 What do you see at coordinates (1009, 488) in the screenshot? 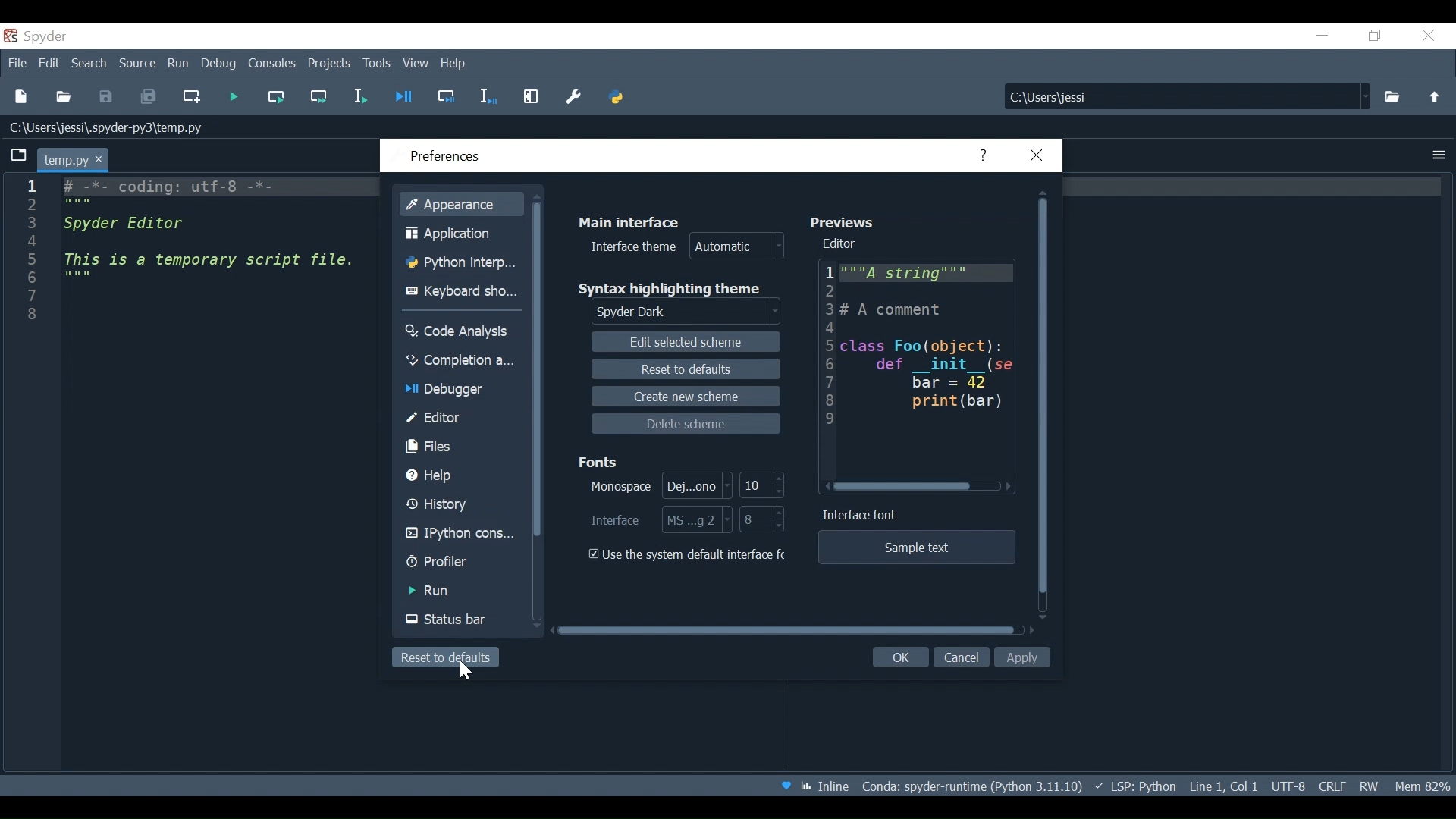
I see `Scroll left` at bounding box center [1009, 488].